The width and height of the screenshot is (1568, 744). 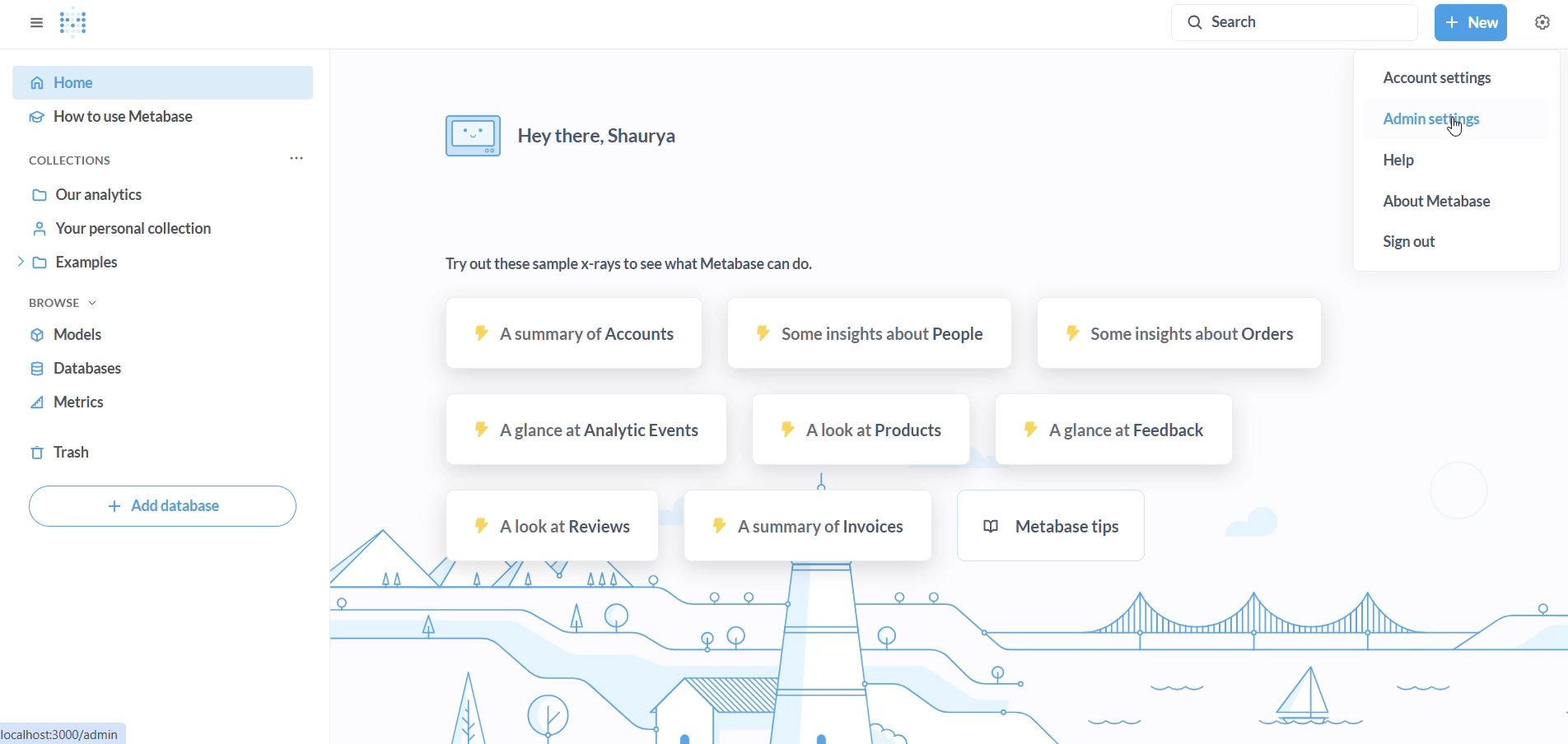 What do you see at coordinates (588, 430) in the screenshot?
I see `Aglance at Analytic Events` at bounding box center [588, 430].